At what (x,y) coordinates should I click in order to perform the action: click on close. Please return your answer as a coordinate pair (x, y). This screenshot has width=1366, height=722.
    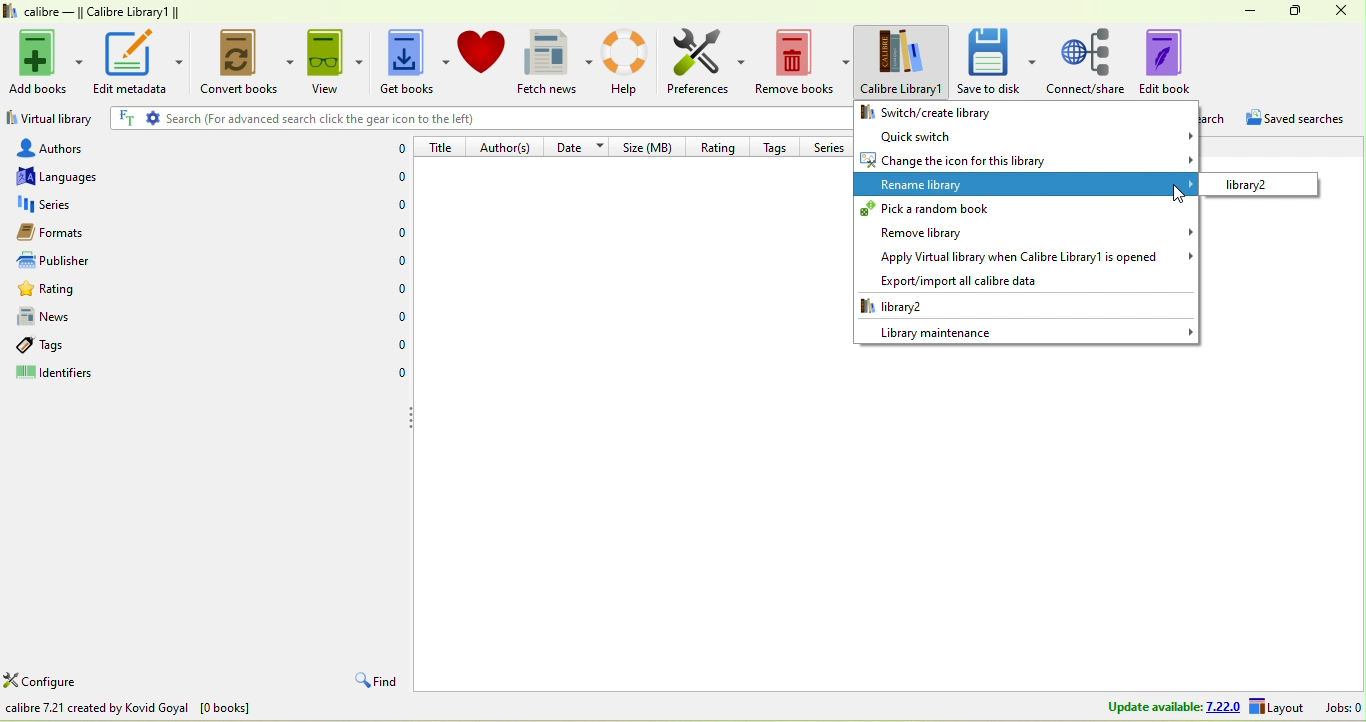
    Looking at the image, I should click on (1342, 12).